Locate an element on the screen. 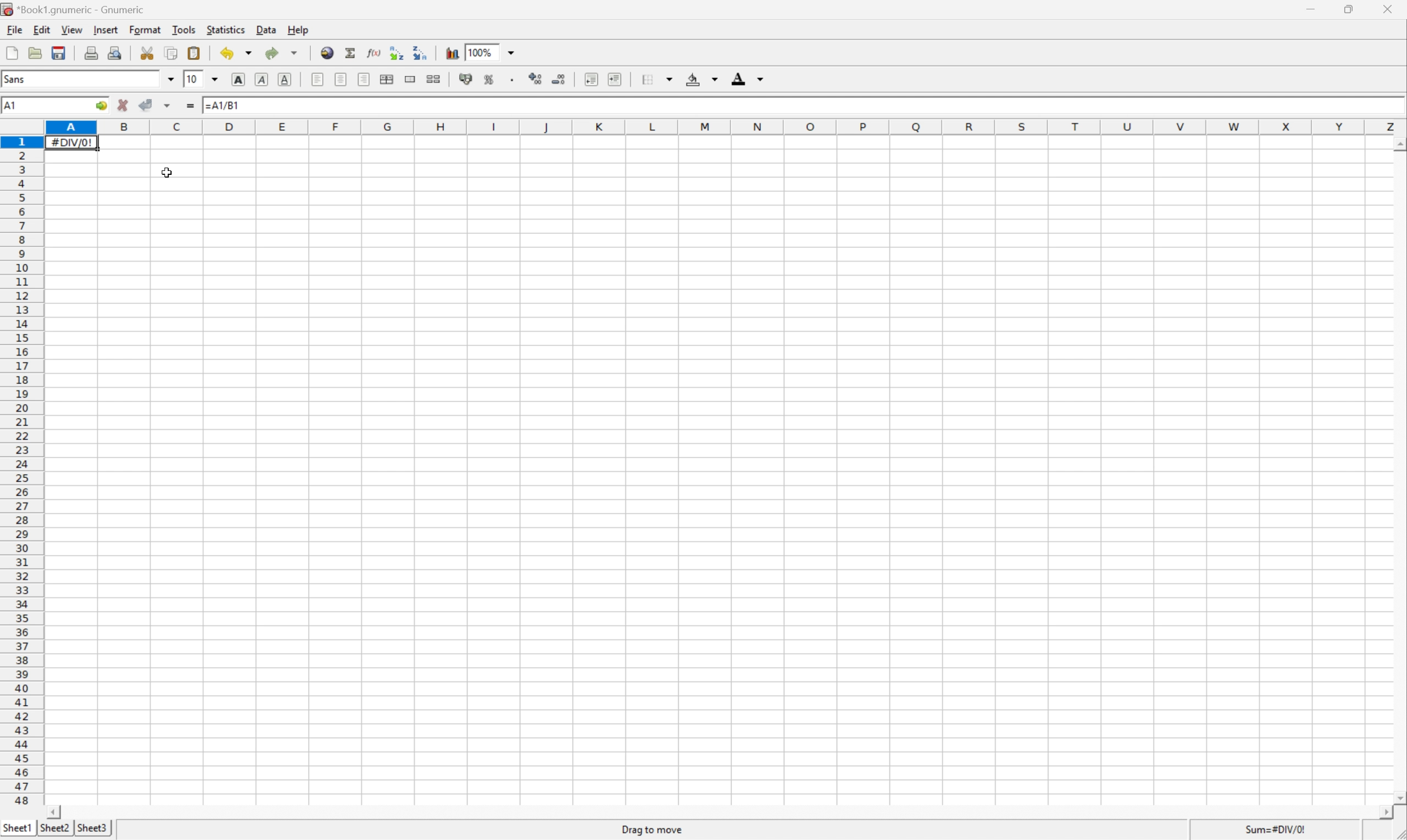 This screenshot has height=840, width=1407. edit is located at coordinates (43, 31).